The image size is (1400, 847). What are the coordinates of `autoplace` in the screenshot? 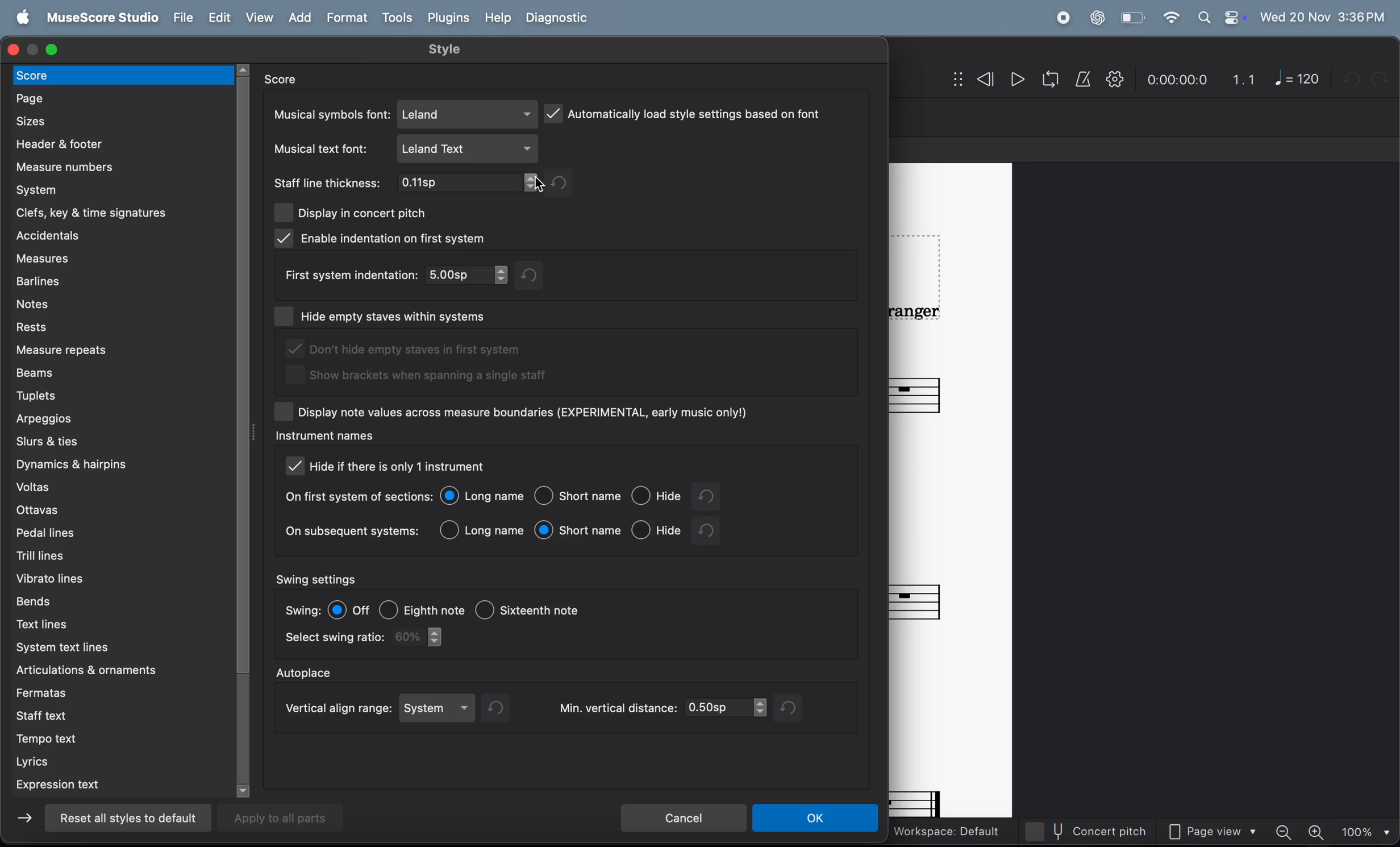 It's located at (307, 671).